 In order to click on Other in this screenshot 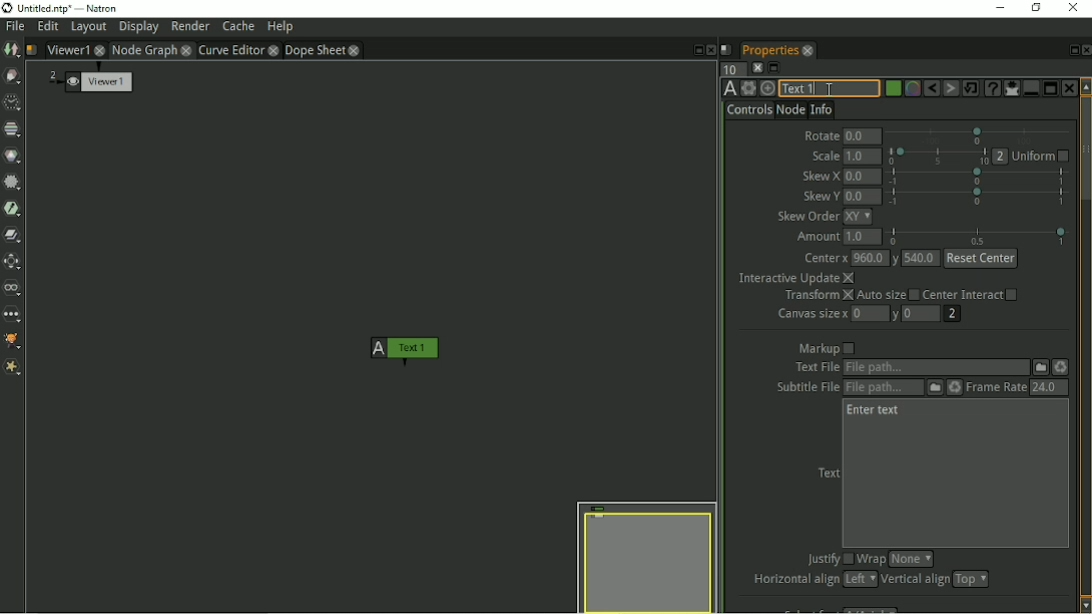, I will do `click(13, 315)`.